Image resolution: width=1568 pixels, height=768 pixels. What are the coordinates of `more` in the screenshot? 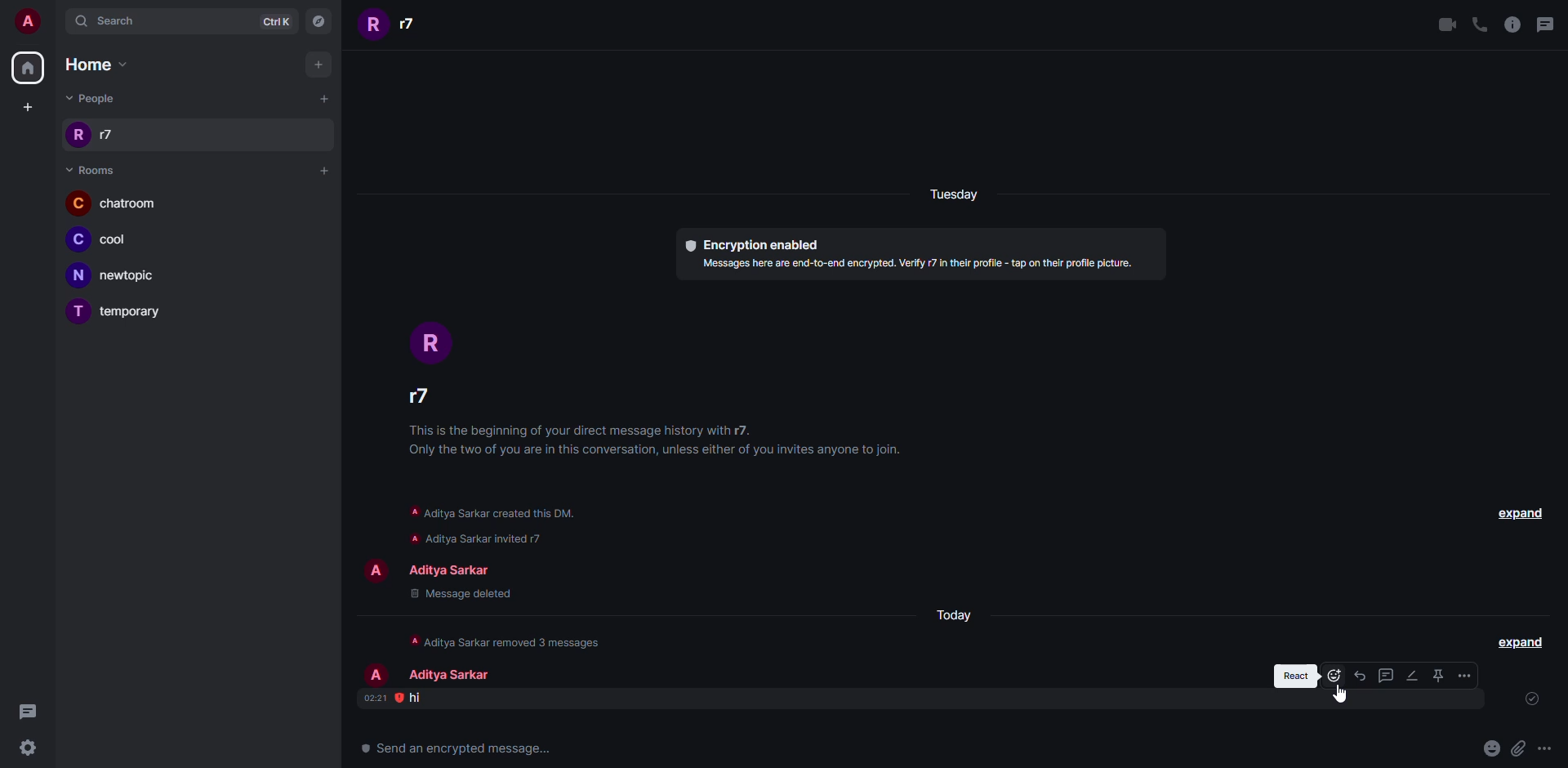 It's located at (1544, 748).